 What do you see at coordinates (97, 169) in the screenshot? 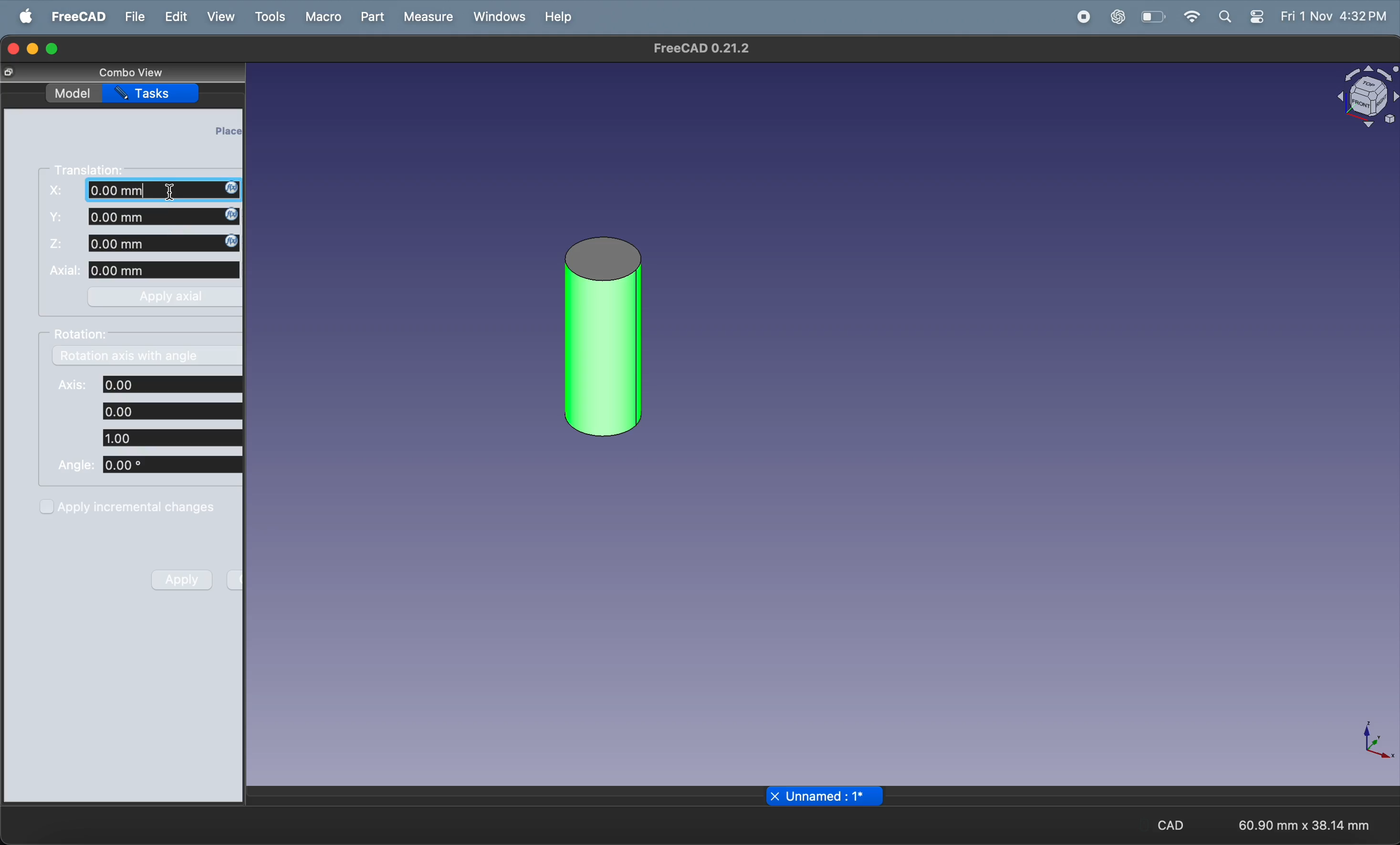
I see `translation` at bounding box center [97, 169].